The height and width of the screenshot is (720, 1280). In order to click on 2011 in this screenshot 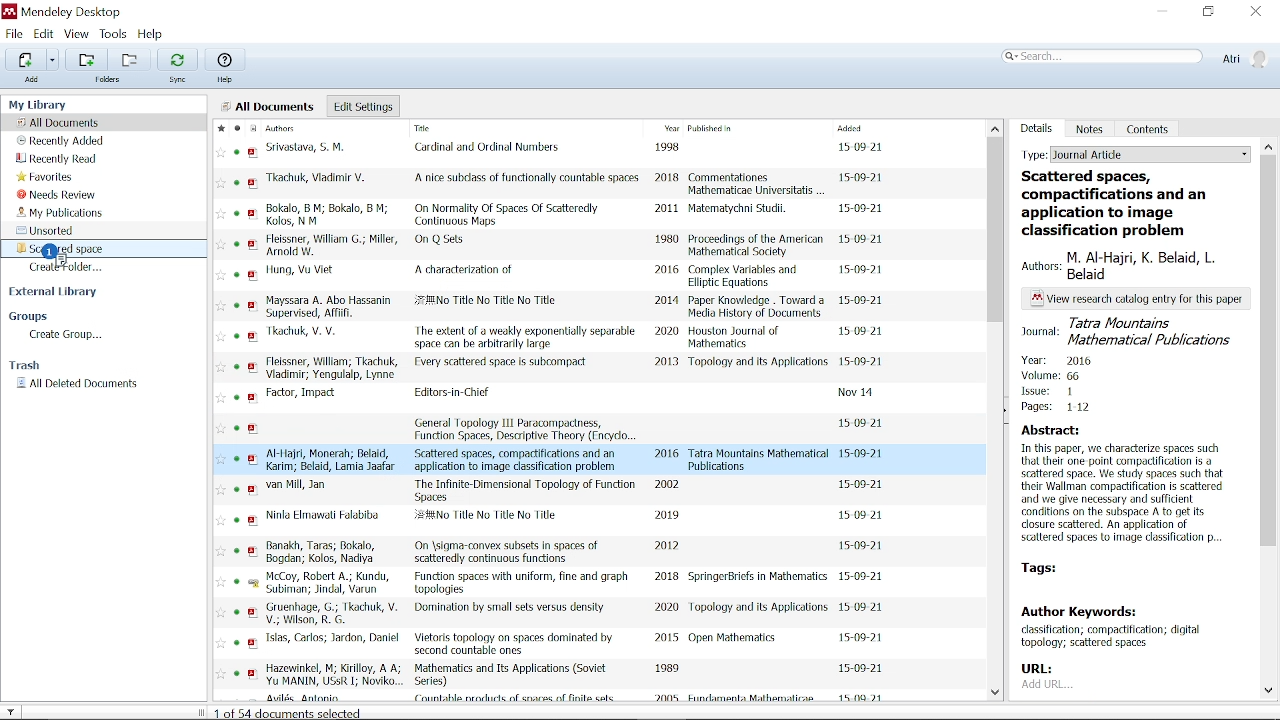, I will do `click(666, 208)`.